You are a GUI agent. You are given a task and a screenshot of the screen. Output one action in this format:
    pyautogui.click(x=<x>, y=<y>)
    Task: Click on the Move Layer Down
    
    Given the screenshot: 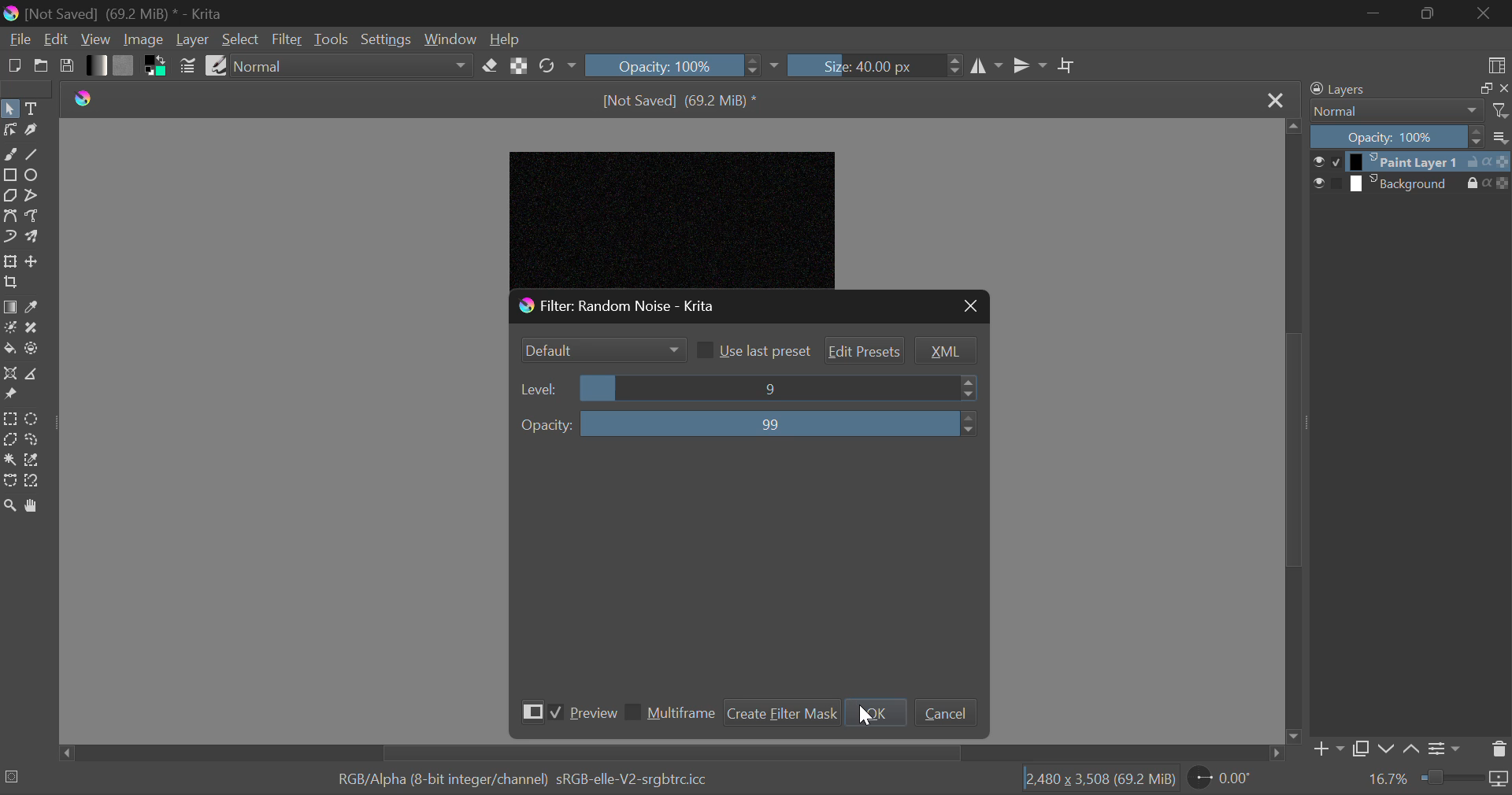 What is the action you would take?
    pyautogui.click(x=1388, y=747)
    